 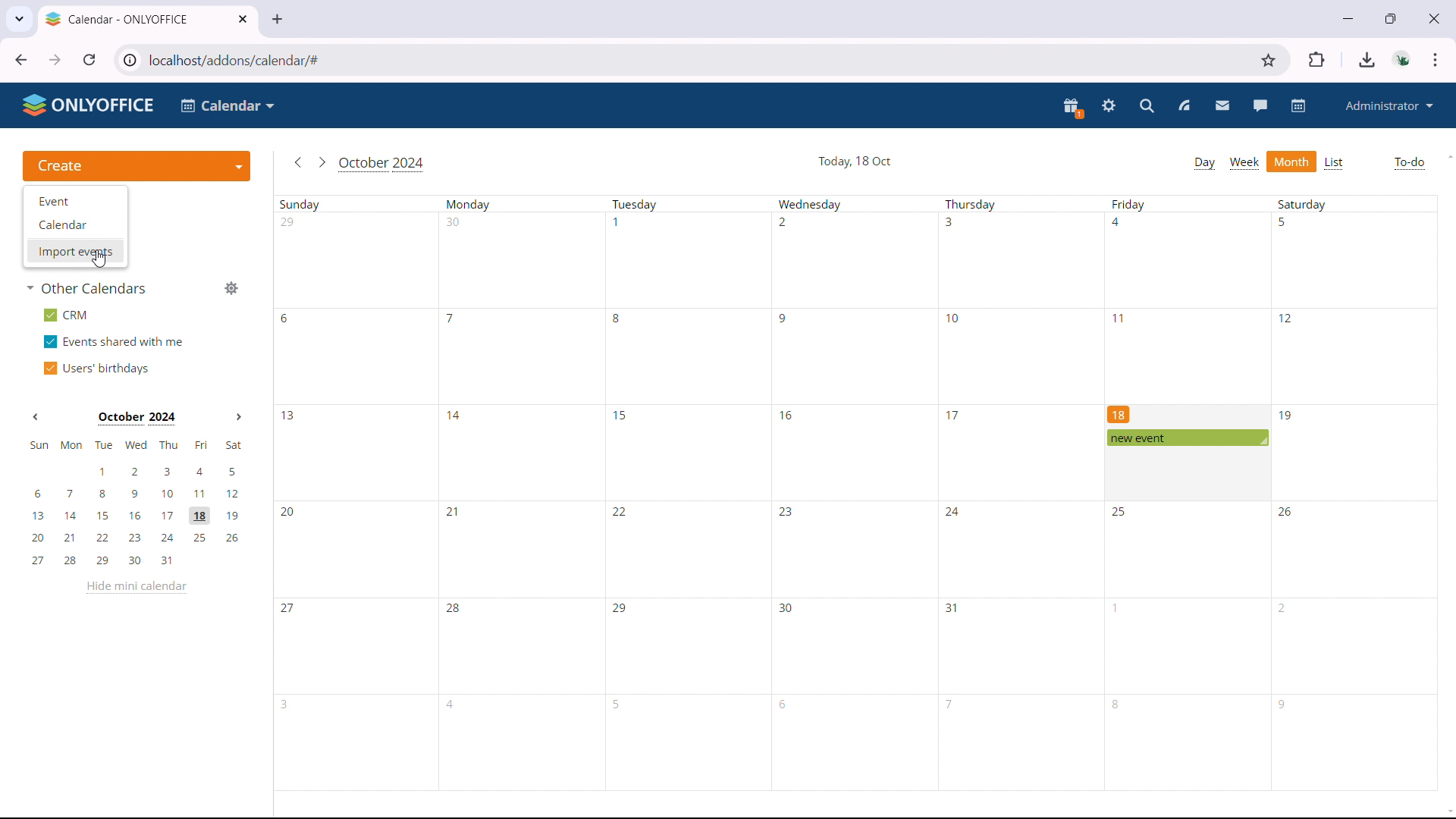 What do you see at coordinates (1447, 155) in the screenshot?
I see `scroll up` at bounding box center [1447, 155].